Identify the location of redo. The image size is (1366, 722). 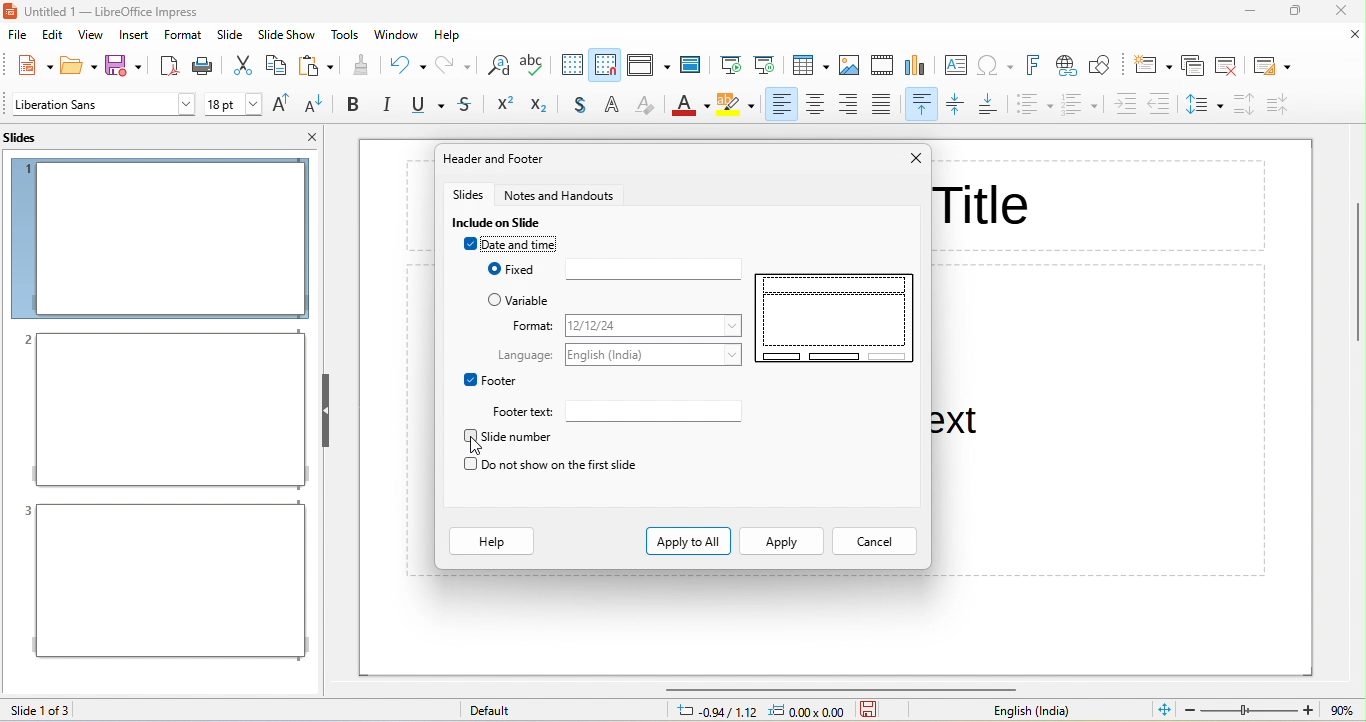
(455, 65).